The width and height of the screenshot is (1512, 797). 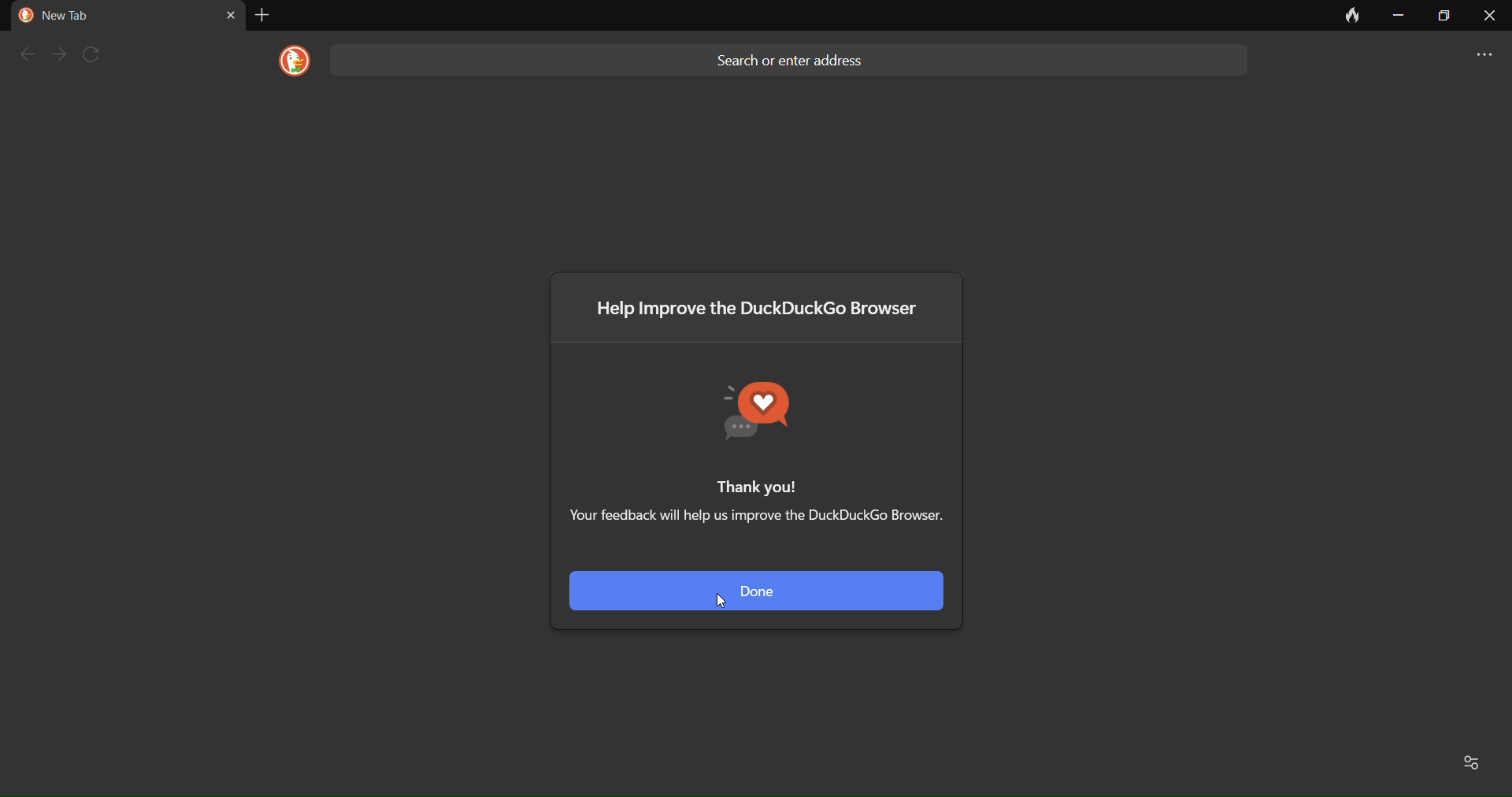 I want to click on logo, so click(x=289, y=61).